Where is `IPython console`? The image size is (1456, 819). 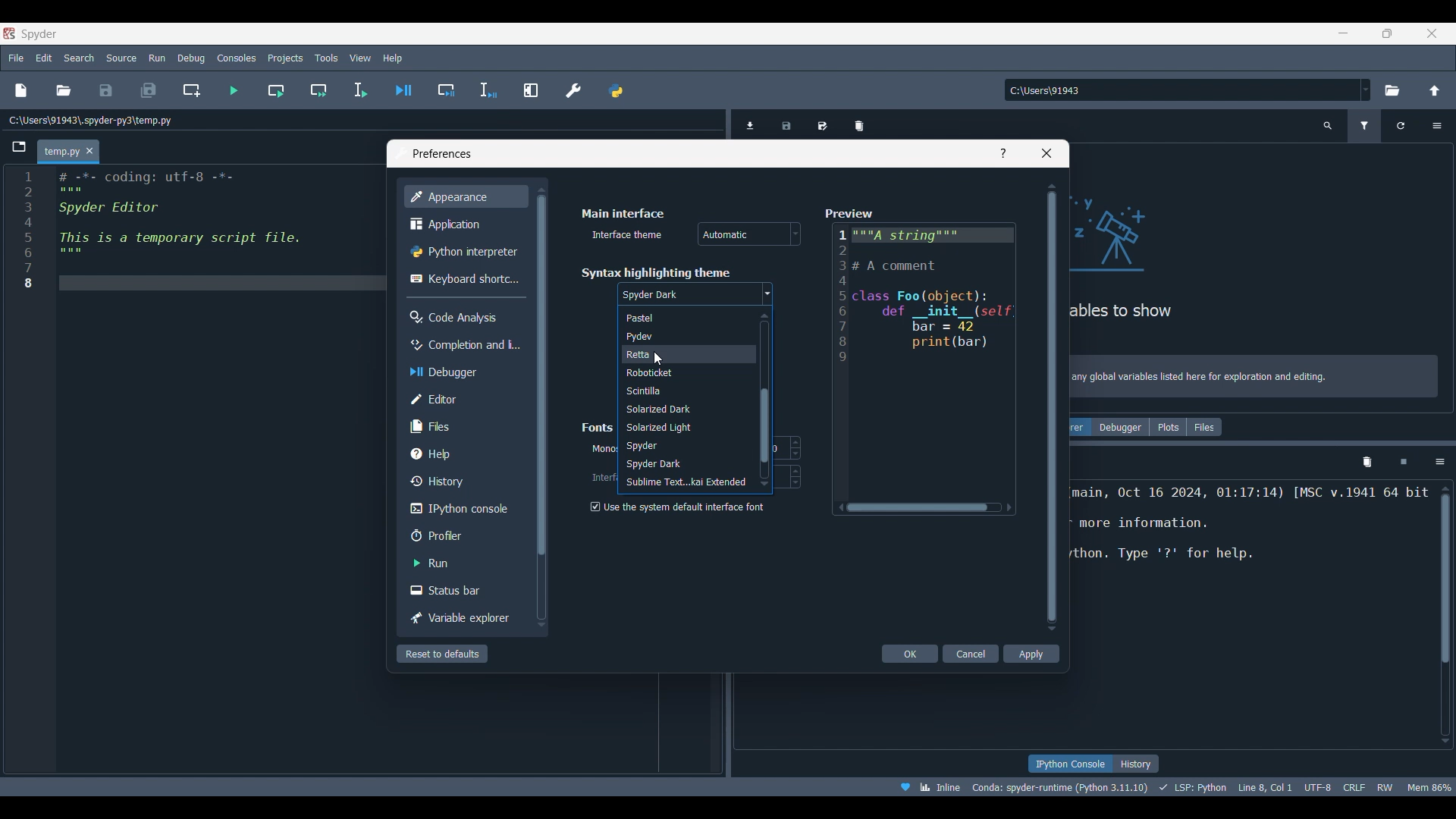
IPython console is located at coordinates (1069, 764).